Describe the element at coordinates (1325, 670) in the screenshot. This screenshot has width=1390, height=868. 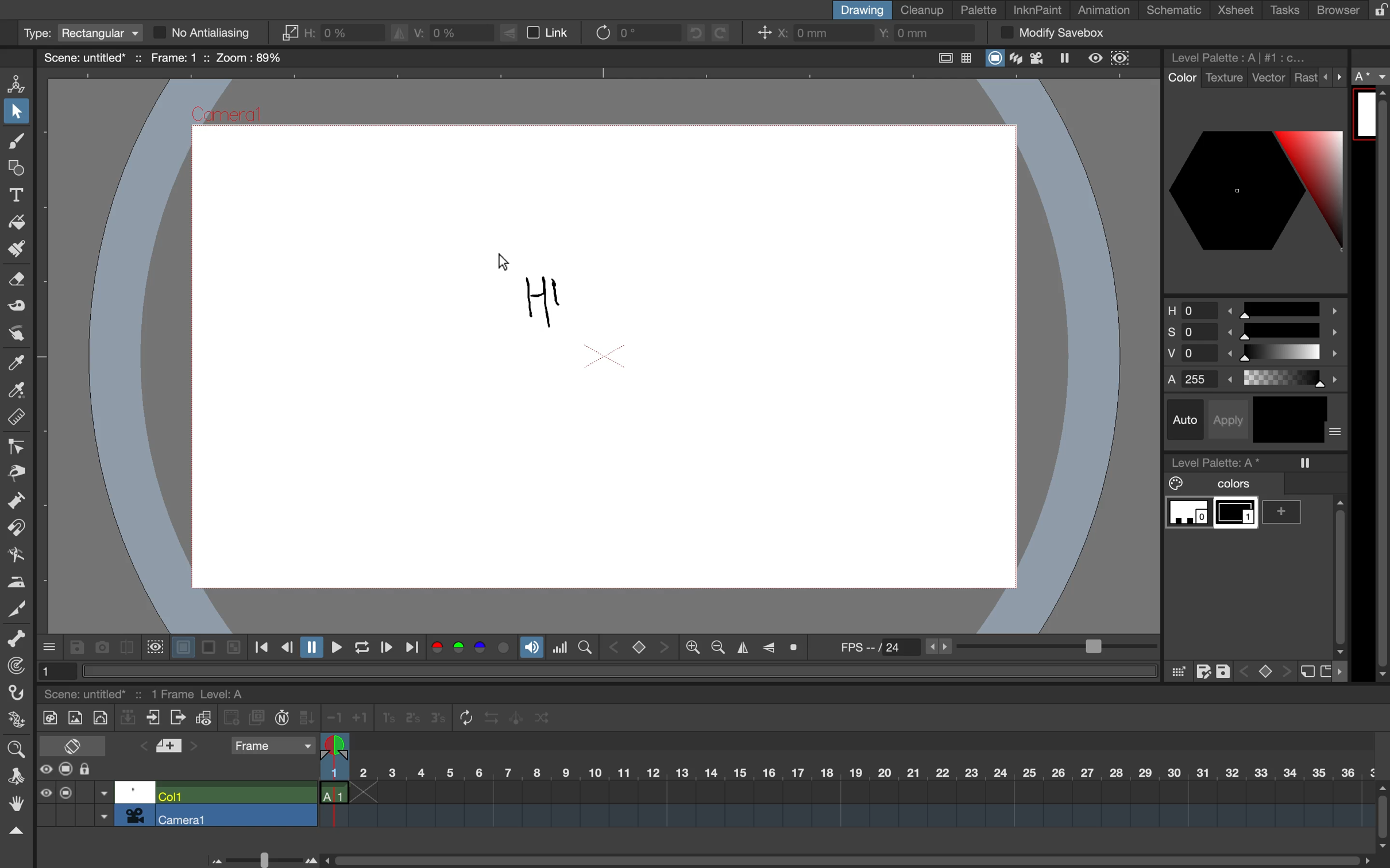
I see `new page` at that location.